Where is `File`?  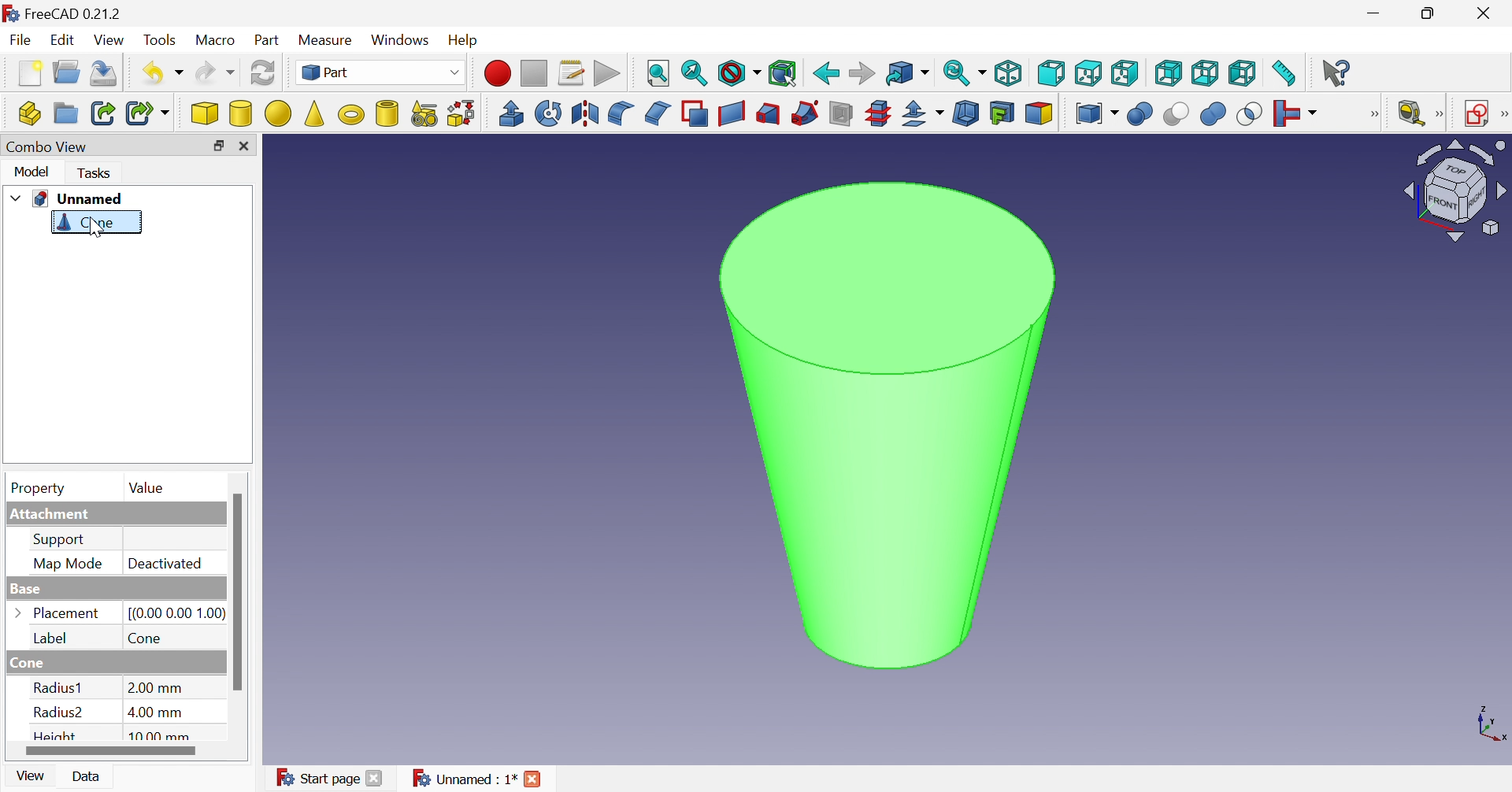
File is located at coordinates (18, 39).